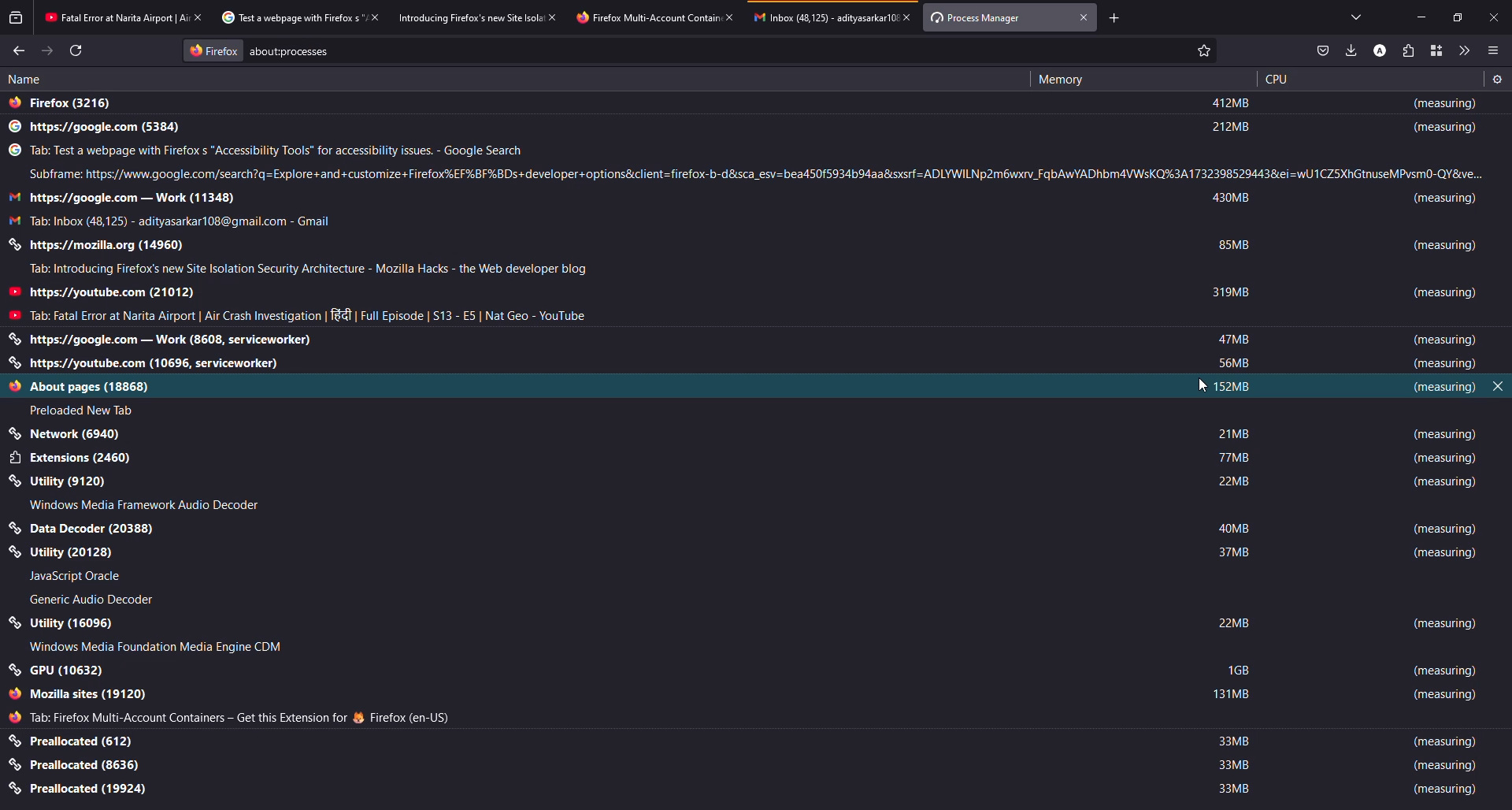 Image resolution: width=1512 pixels, height=810 pixels. Describe the element at coordinates (1438, 291) in the screenshot. I see `measuring` at that location.